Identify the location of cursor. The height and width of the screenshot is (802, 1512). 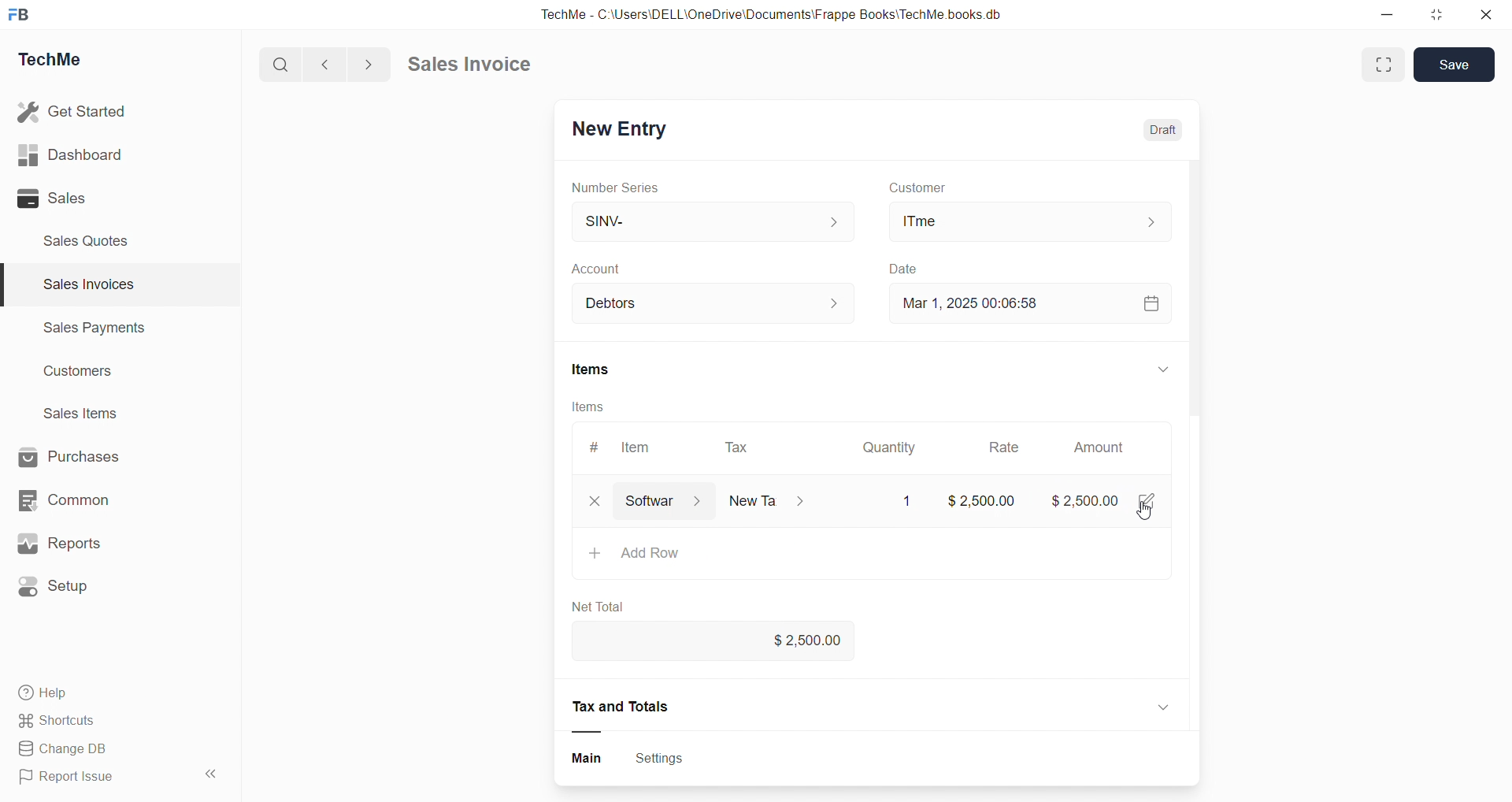
(1149, 515).